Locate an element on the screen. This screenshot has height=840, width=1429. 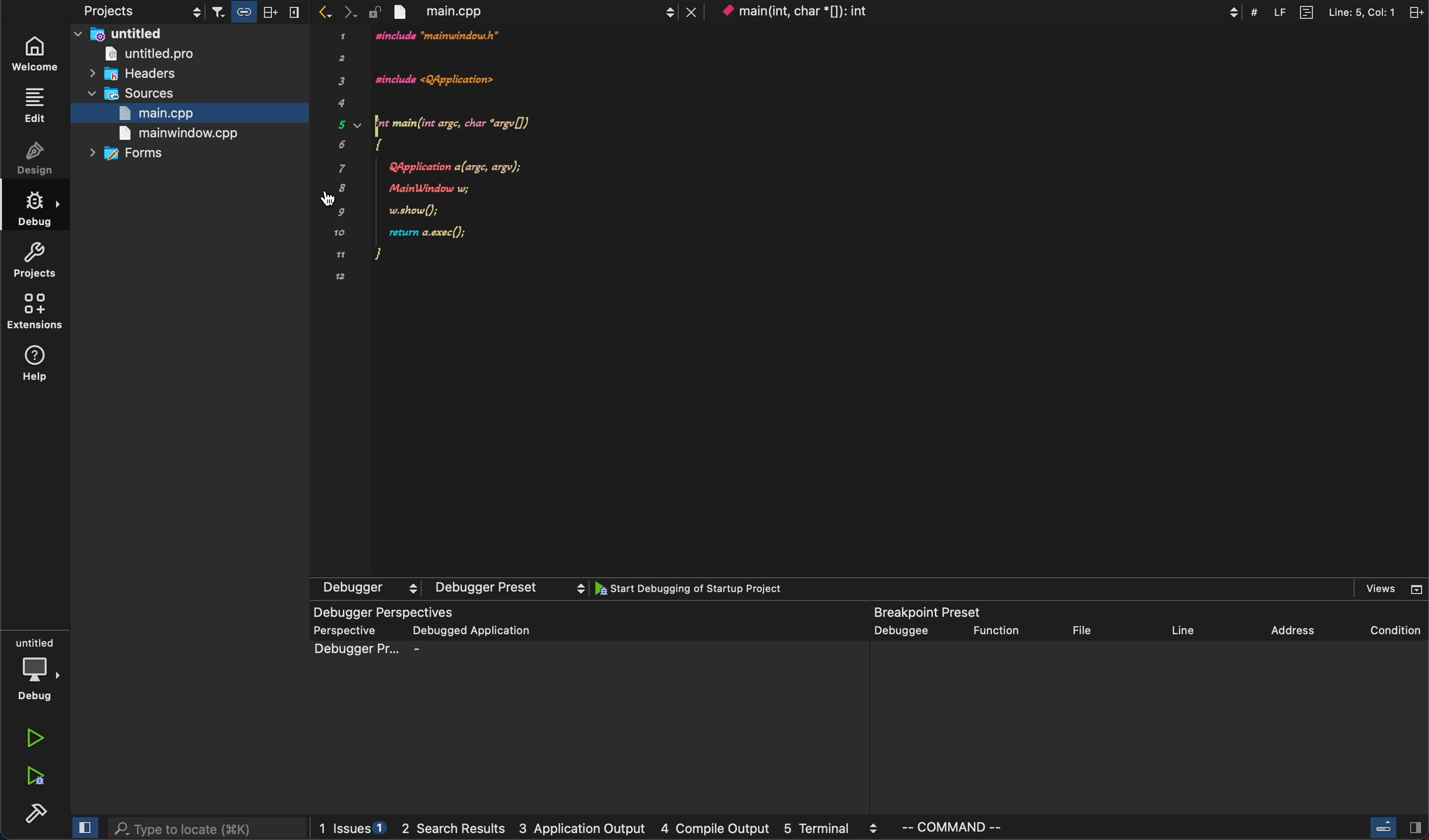
context is located at coordinates (978, 11).